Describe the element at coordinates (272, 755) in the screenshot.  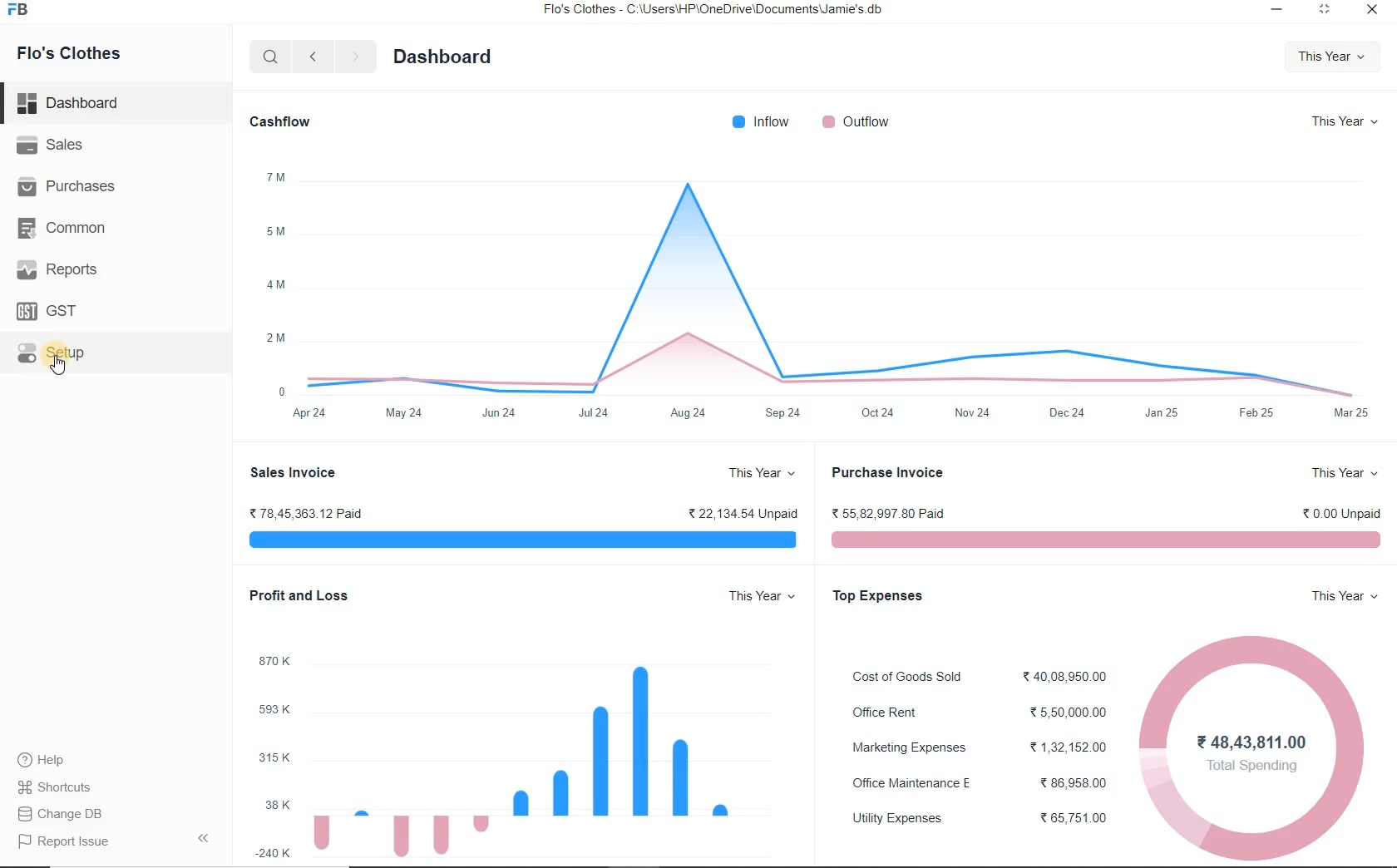
I see `870K
593K
315K
38K
240K` at that location.